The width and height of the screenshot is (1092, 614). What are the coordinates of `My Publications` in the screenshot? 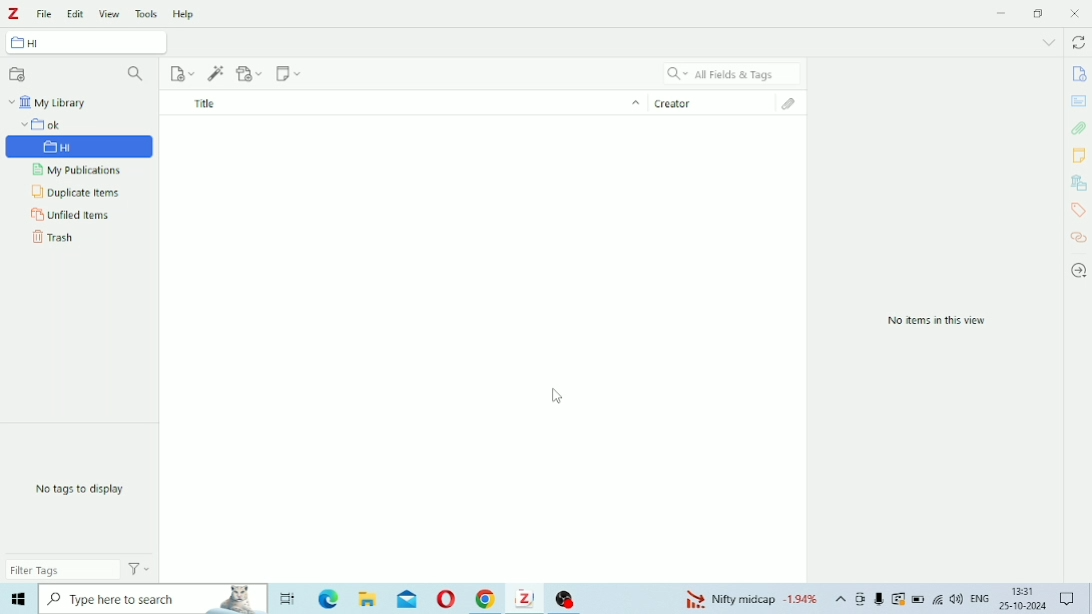 It's located at (85, 171).